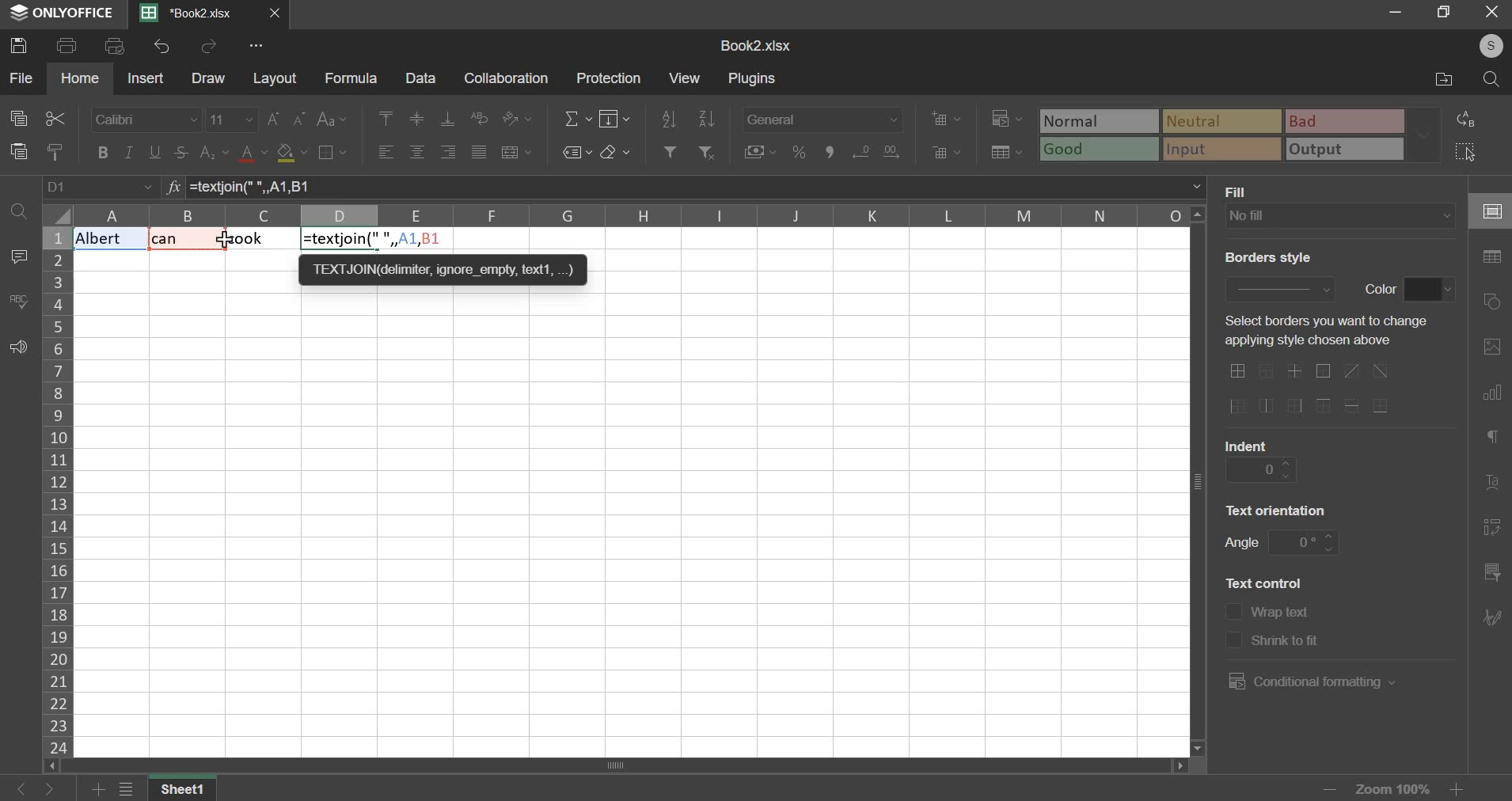 This screenshot has height=801, width=1512. What do you see at coordinates (1005, 120) in the screenshot?
I see `conditional formatting` at bounding box center [1005, 120].